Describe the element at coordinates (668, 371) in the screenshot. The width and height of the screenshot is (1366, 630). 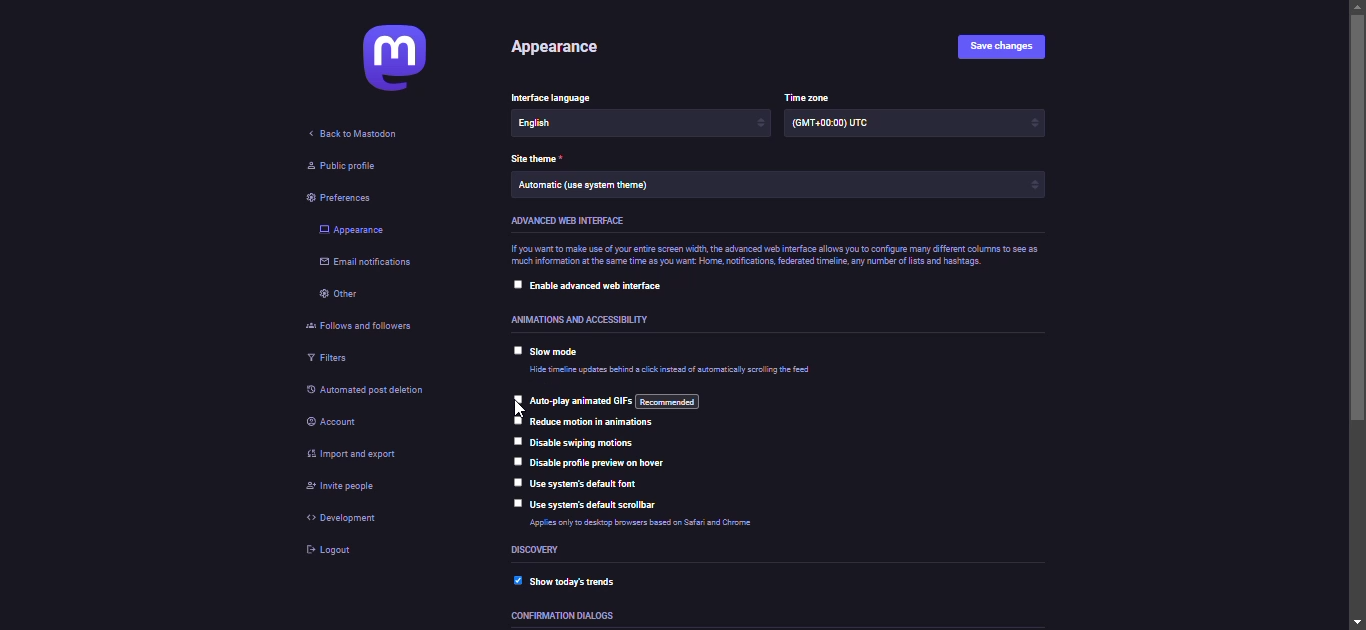
I see `info` at that location.